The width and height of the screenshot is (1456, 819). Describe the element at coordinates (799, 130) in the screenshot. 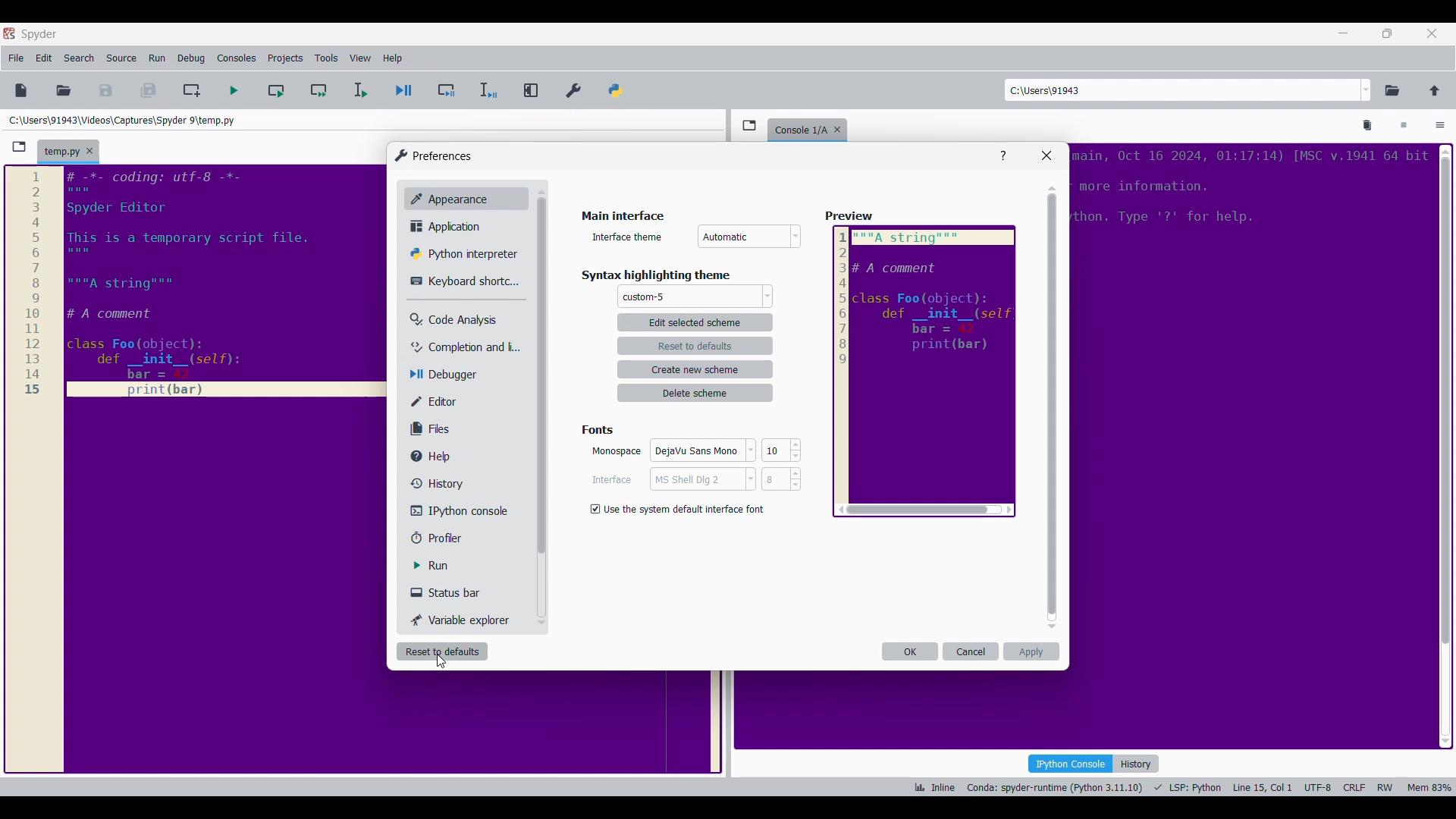

I see `Current tab` at that location.